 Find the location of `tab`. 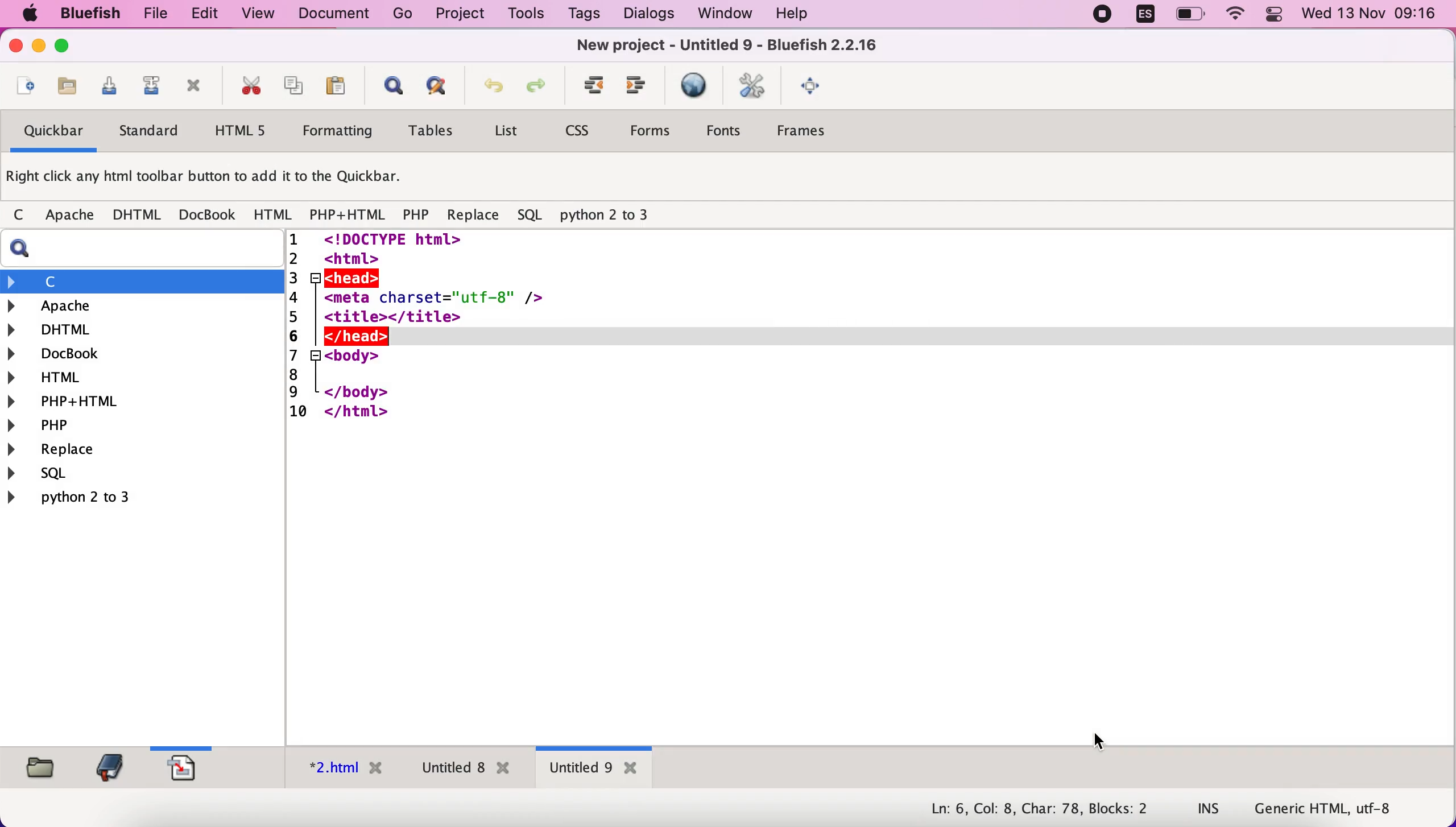

tab is located at coordinates (594, 770).